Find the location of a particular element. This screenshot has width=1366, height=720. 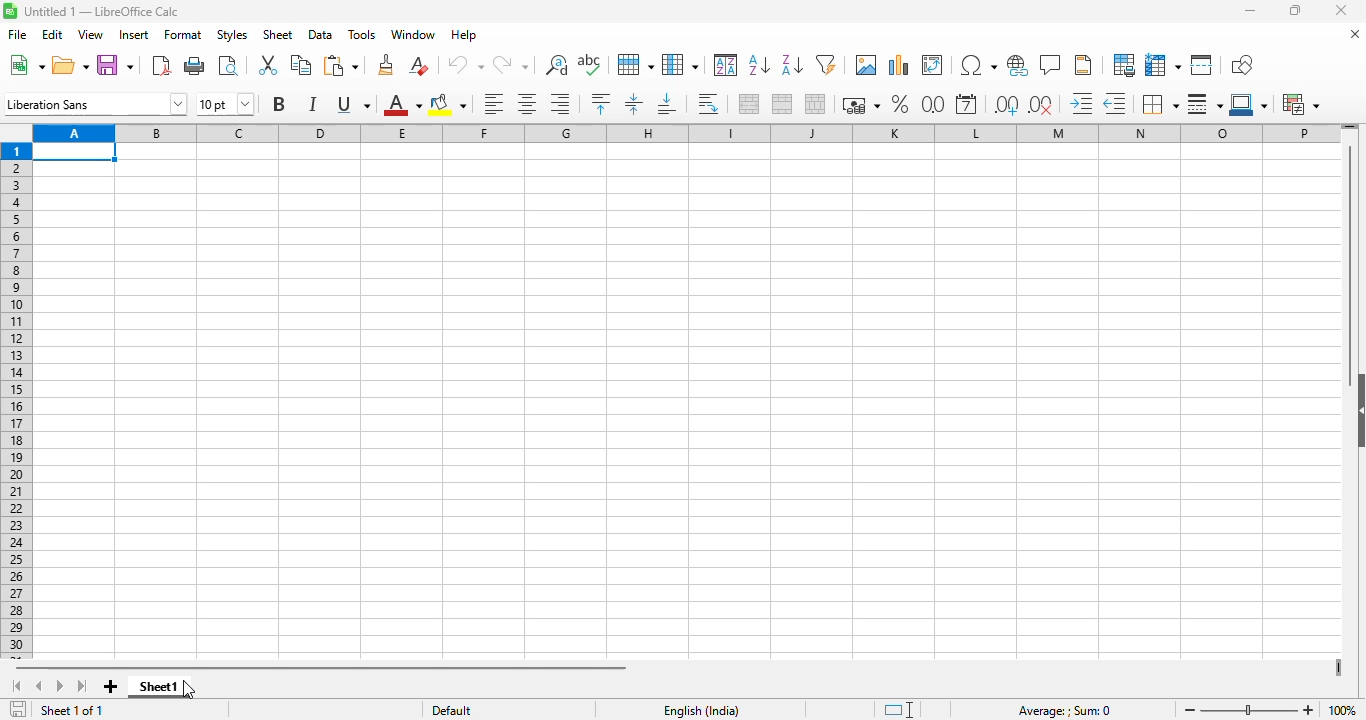

background color is located at coordinates (449, 105).